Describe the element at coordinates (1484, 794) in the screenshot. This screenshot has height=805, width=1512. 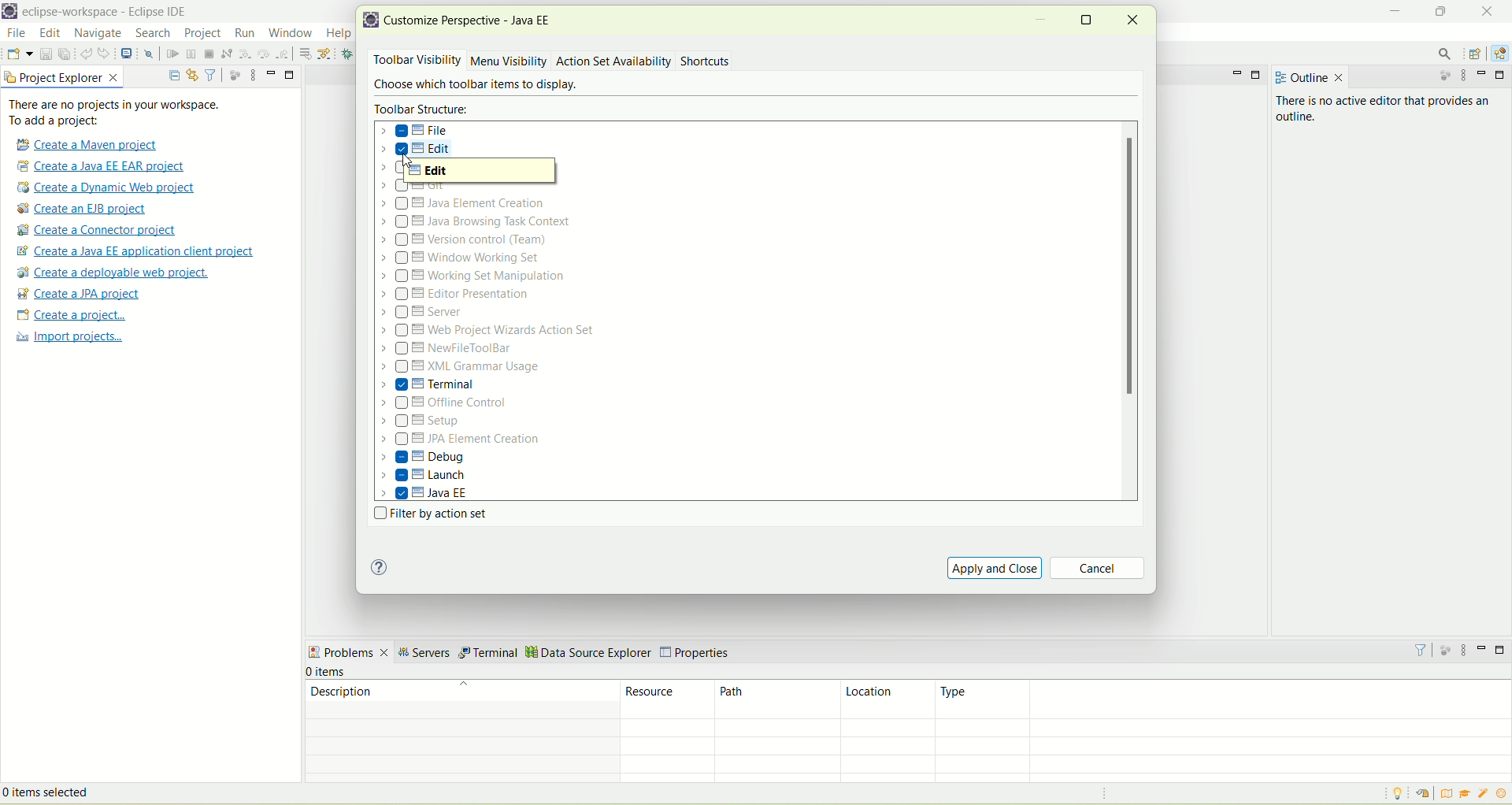
I see `samples` at that location.